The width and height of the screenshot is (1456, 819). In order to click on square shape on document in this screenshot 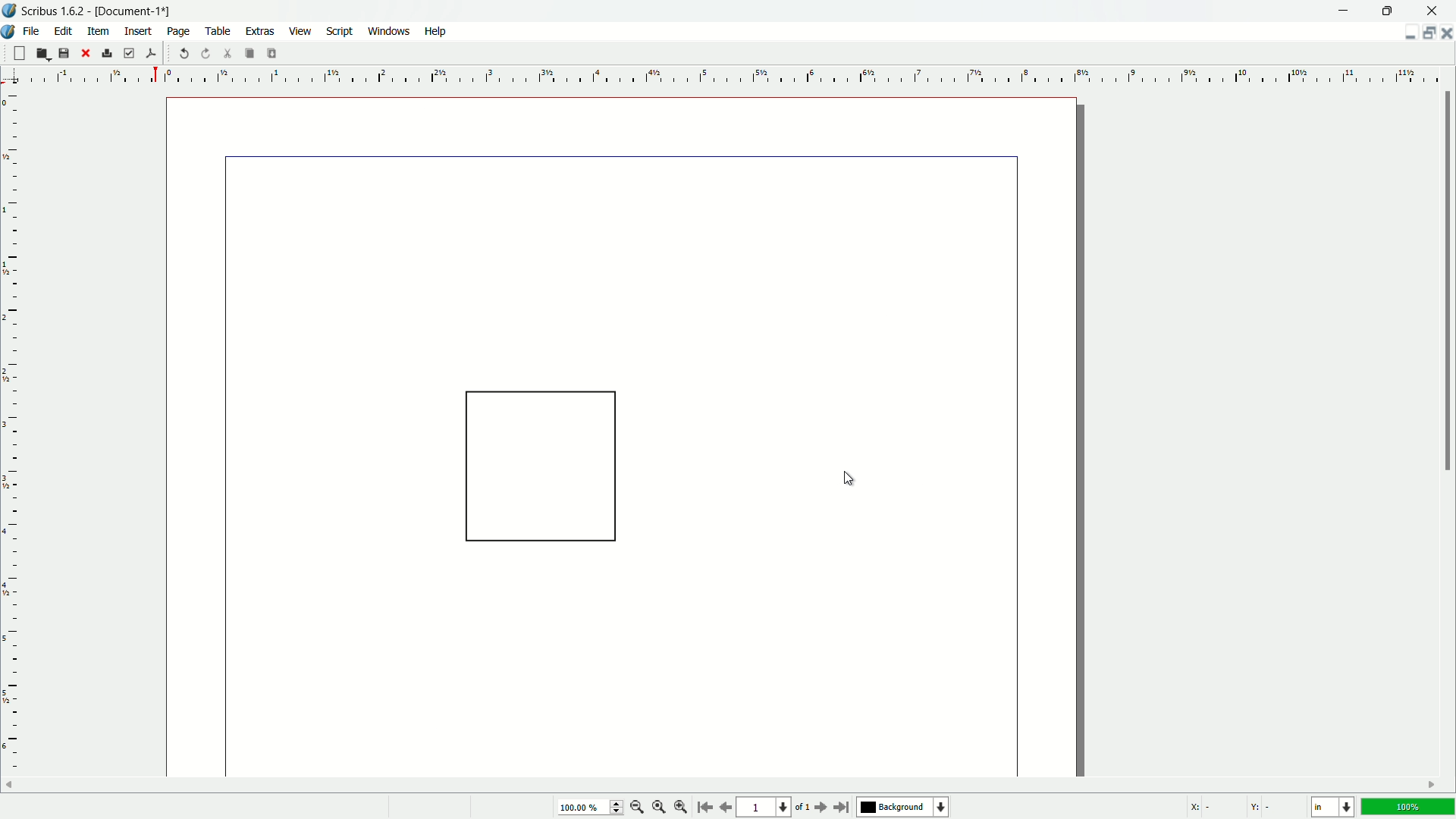, I will do `click(539, 472)`.